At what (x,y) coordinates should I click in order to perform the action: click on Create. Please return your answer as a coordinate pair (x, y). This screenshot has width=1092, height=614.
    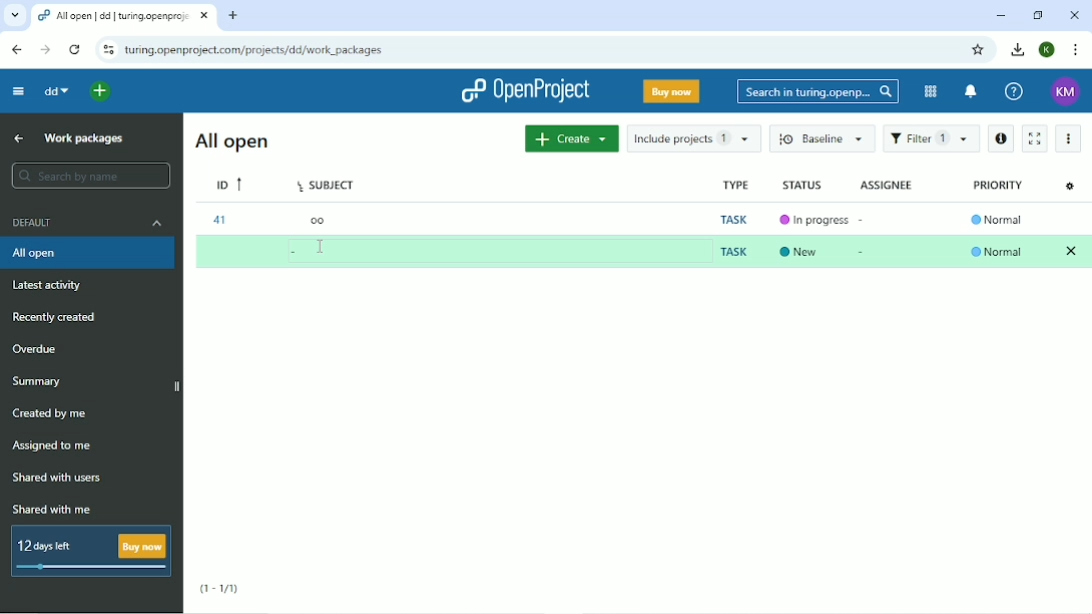
    Looking at the image, I should click on (571, 139).